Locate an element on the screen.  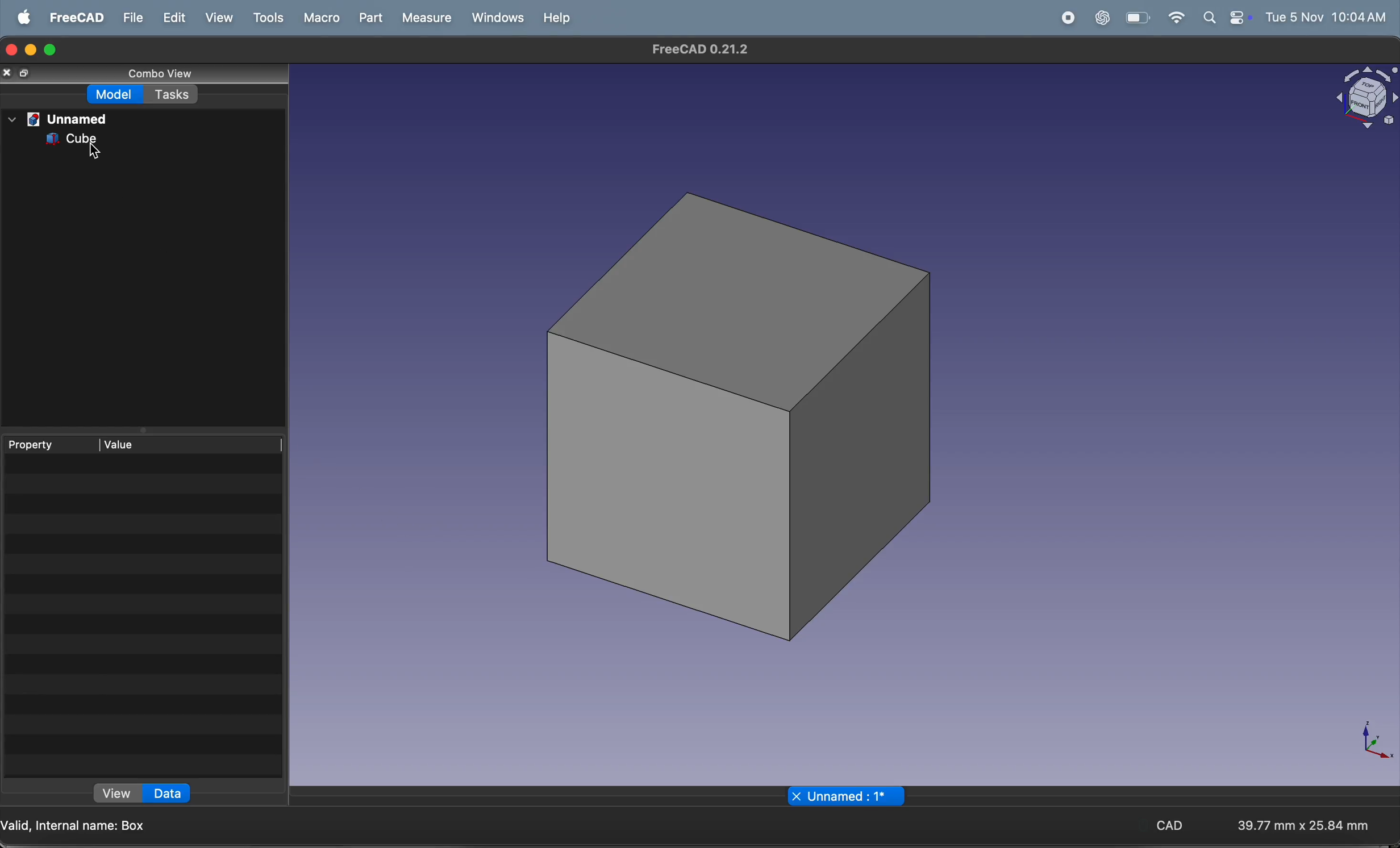
axis compass is located at coordinates (1377, 742).